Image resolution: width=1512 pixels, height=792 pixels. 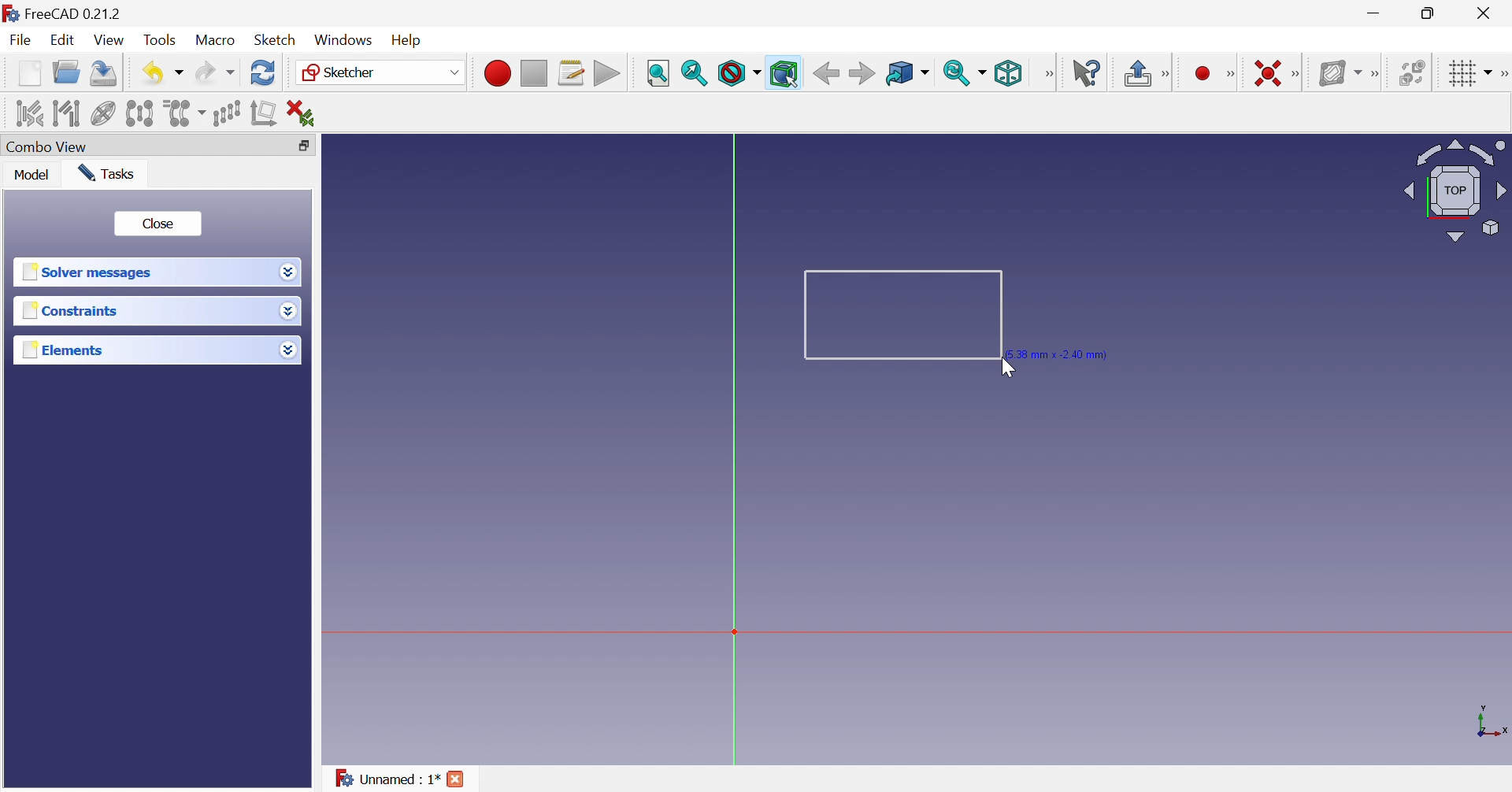 What do you see at coordinates (1057, 356) in the screenshot?
I see `5.38 mm × -2.40 mm` at bounding box center [1057, 356].